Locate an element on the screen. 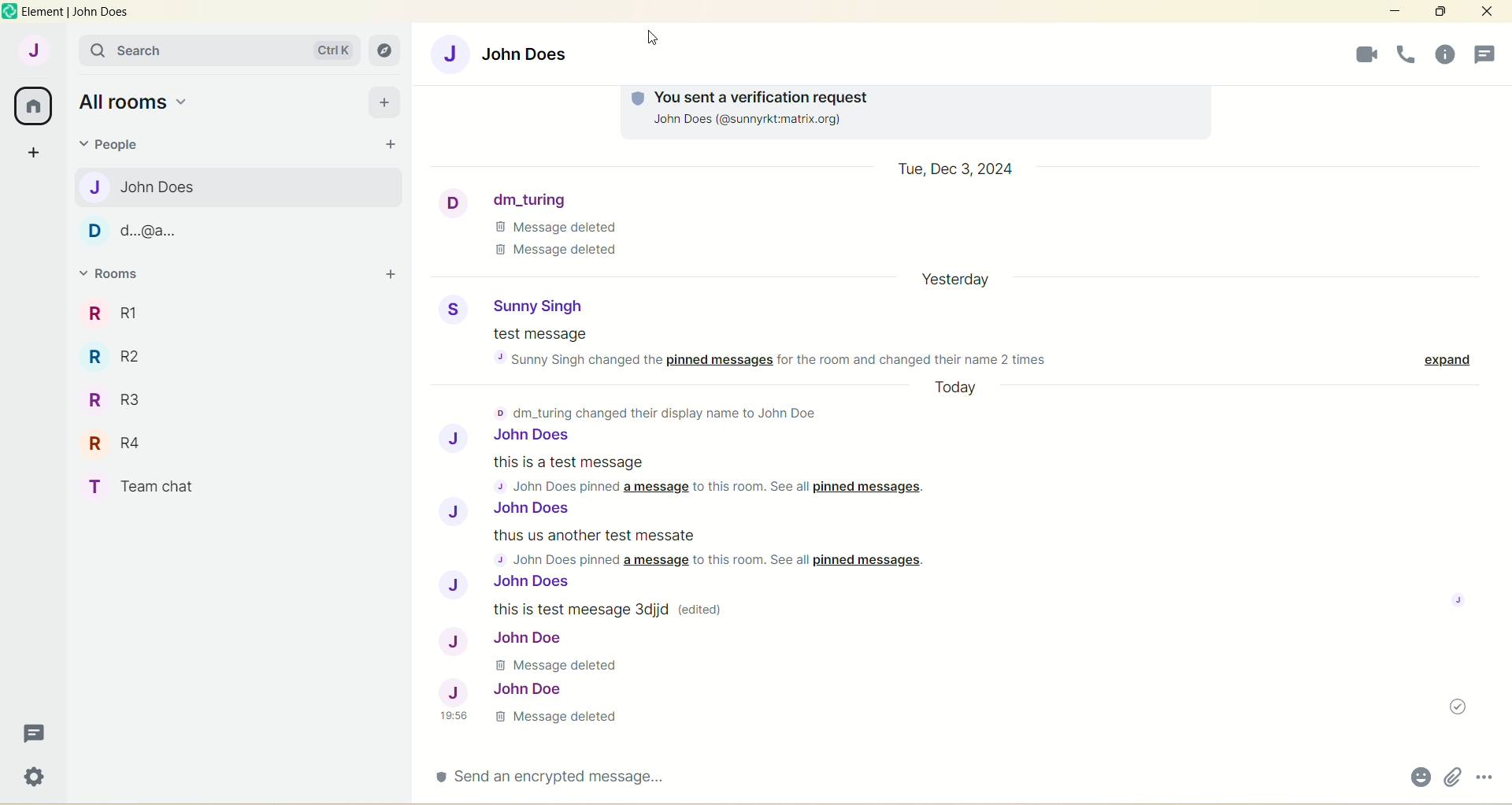 The height and width of the screenshot is (805, 1512). dm_turing is located at coordinates (512, 198).